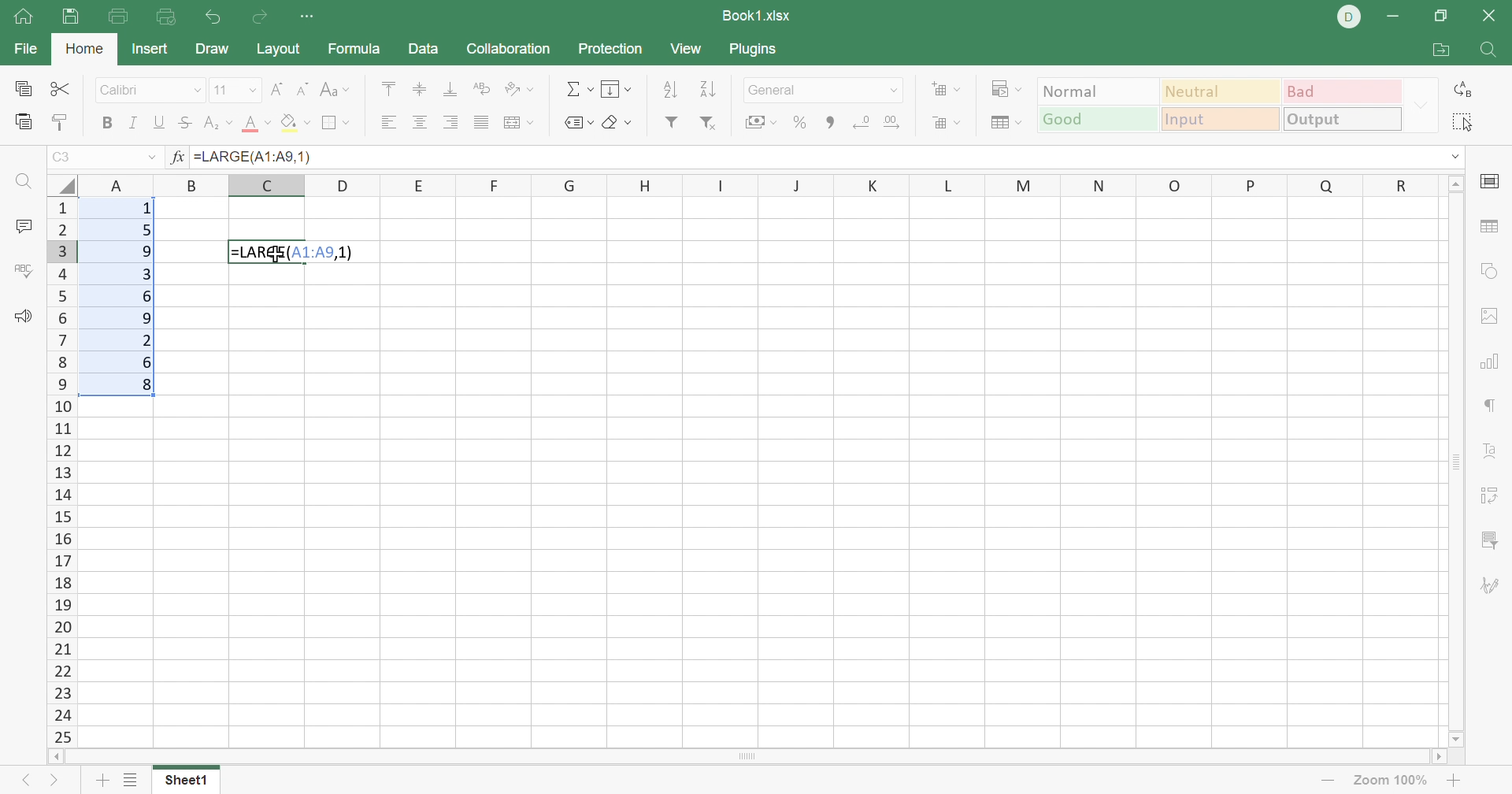 The width and height of the screenshot is (1512, 794). I want to click on 6, so click(149, 297).